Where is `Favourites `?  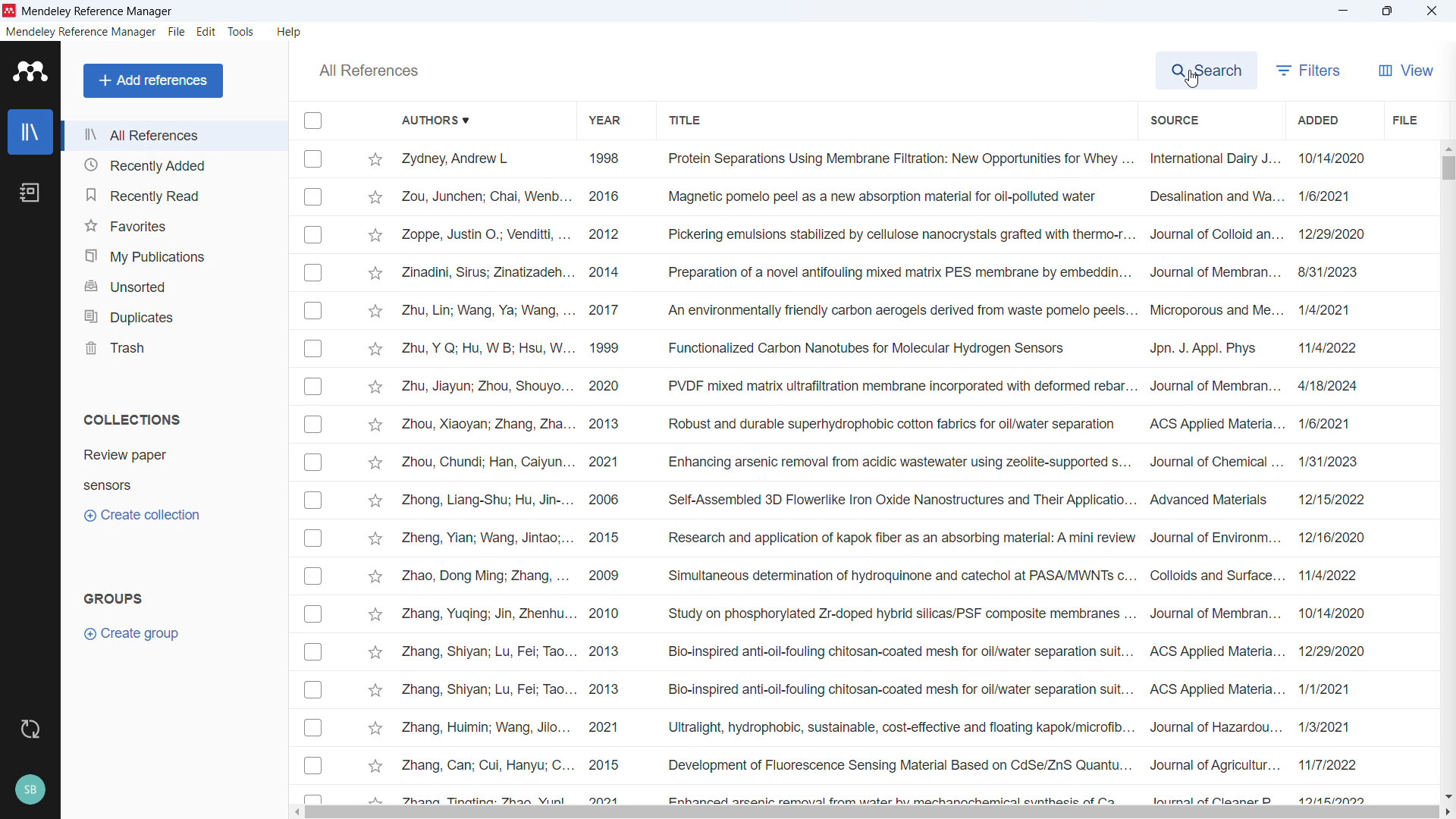 Favourites  is located at coordinates (174, 224).